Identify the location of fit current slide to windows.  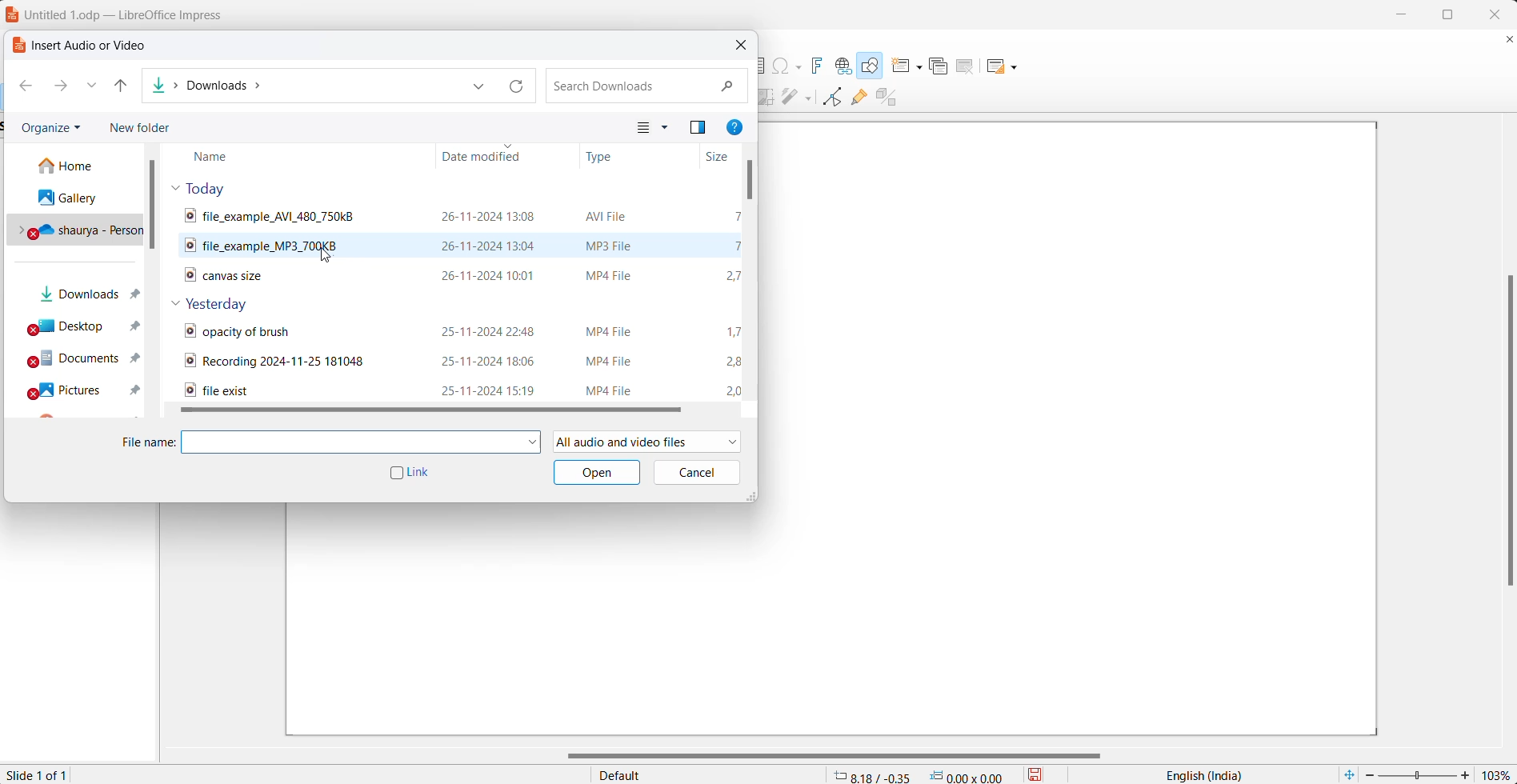
(1349, 774).